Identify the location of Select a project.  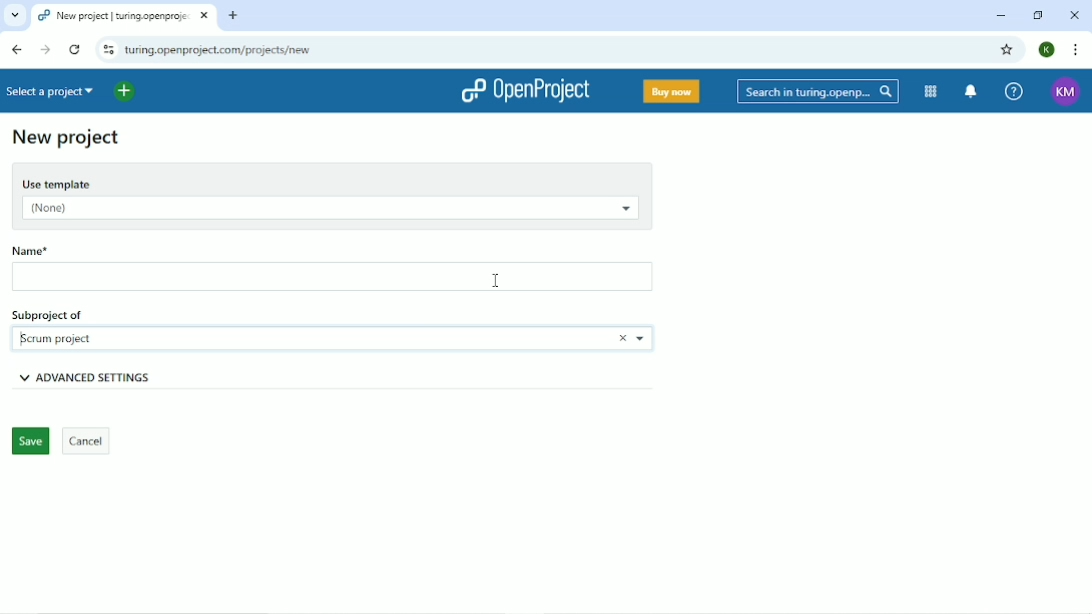
(53, 91).